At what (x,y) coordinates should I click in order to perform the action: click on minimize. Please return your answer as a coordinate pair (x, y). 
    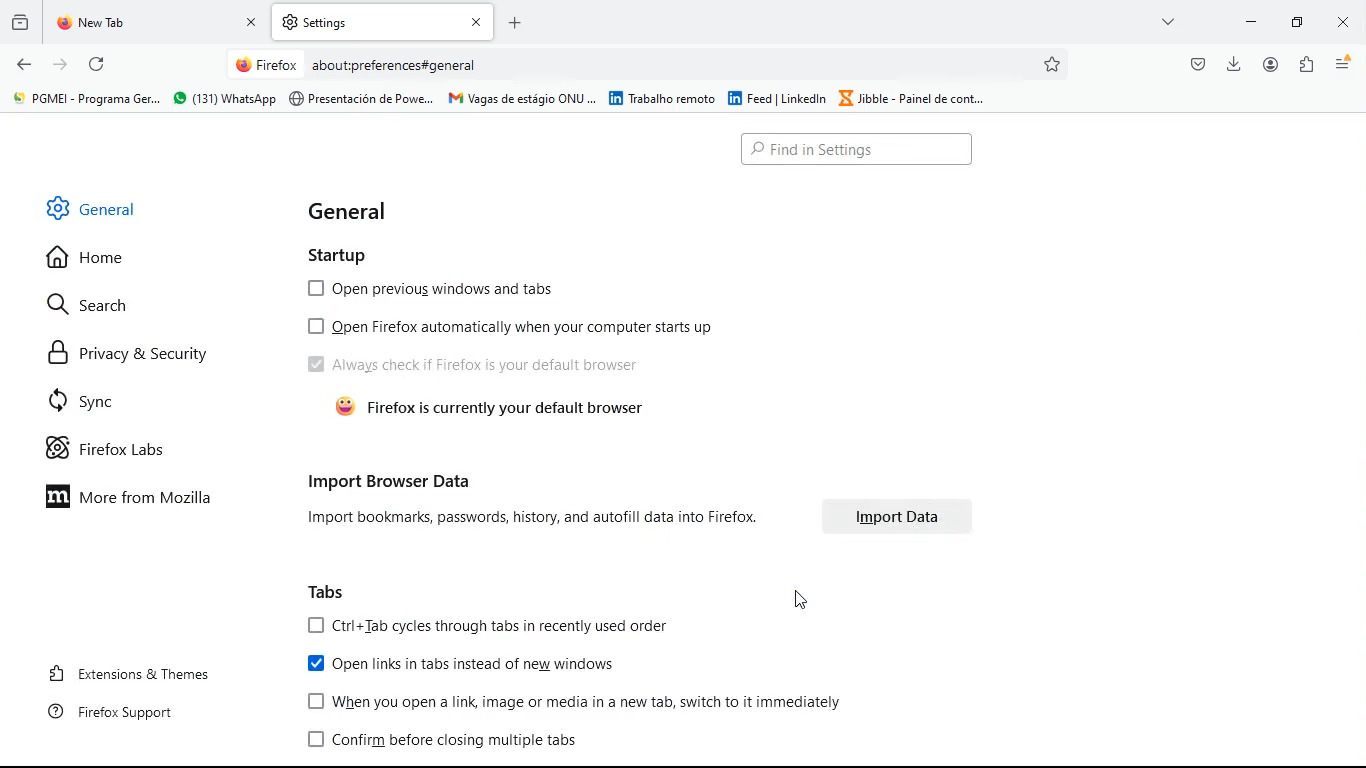
    Looking at the image, I should click on (1252, 22).